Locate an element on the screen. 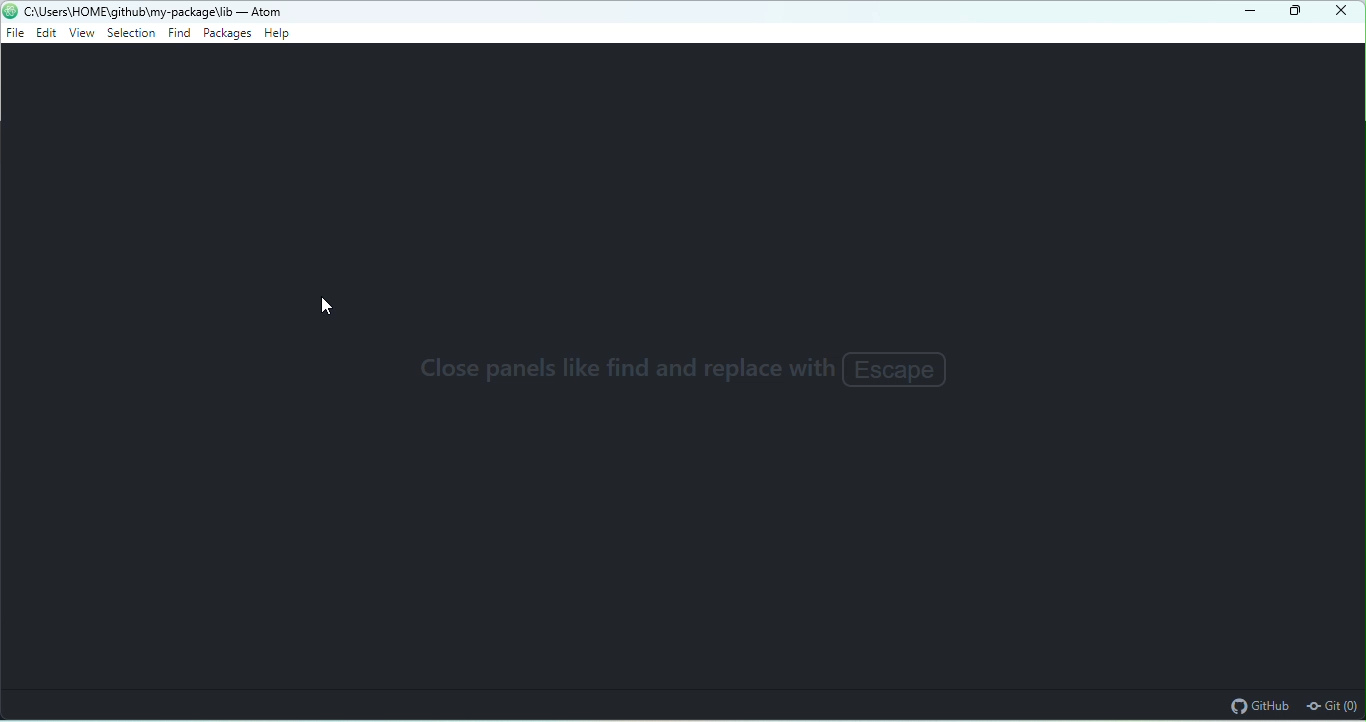  view is located at coordinates (79, 33).